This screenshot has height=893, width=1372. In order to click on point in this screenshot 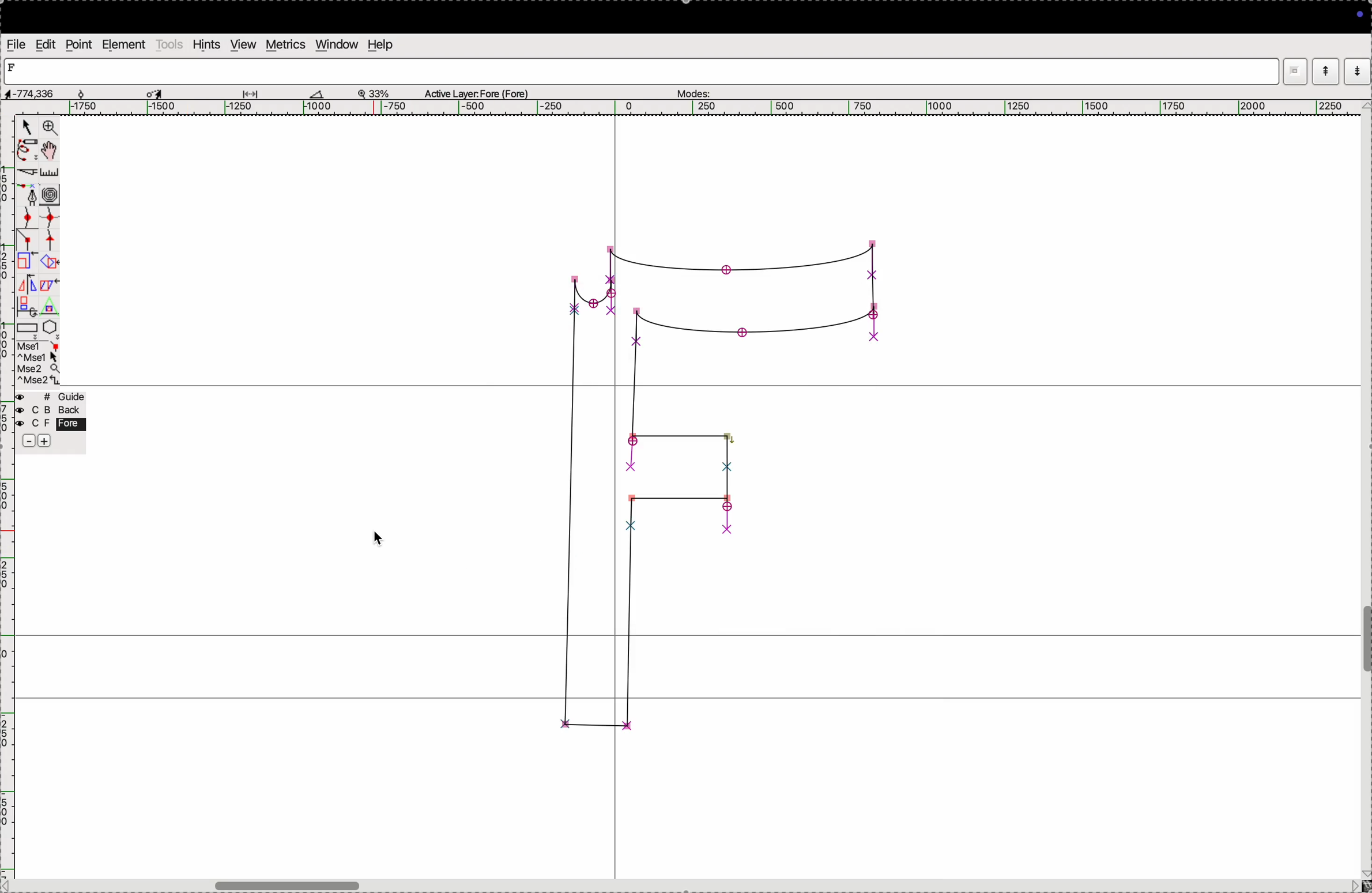, I will do `click(78, 46)`.